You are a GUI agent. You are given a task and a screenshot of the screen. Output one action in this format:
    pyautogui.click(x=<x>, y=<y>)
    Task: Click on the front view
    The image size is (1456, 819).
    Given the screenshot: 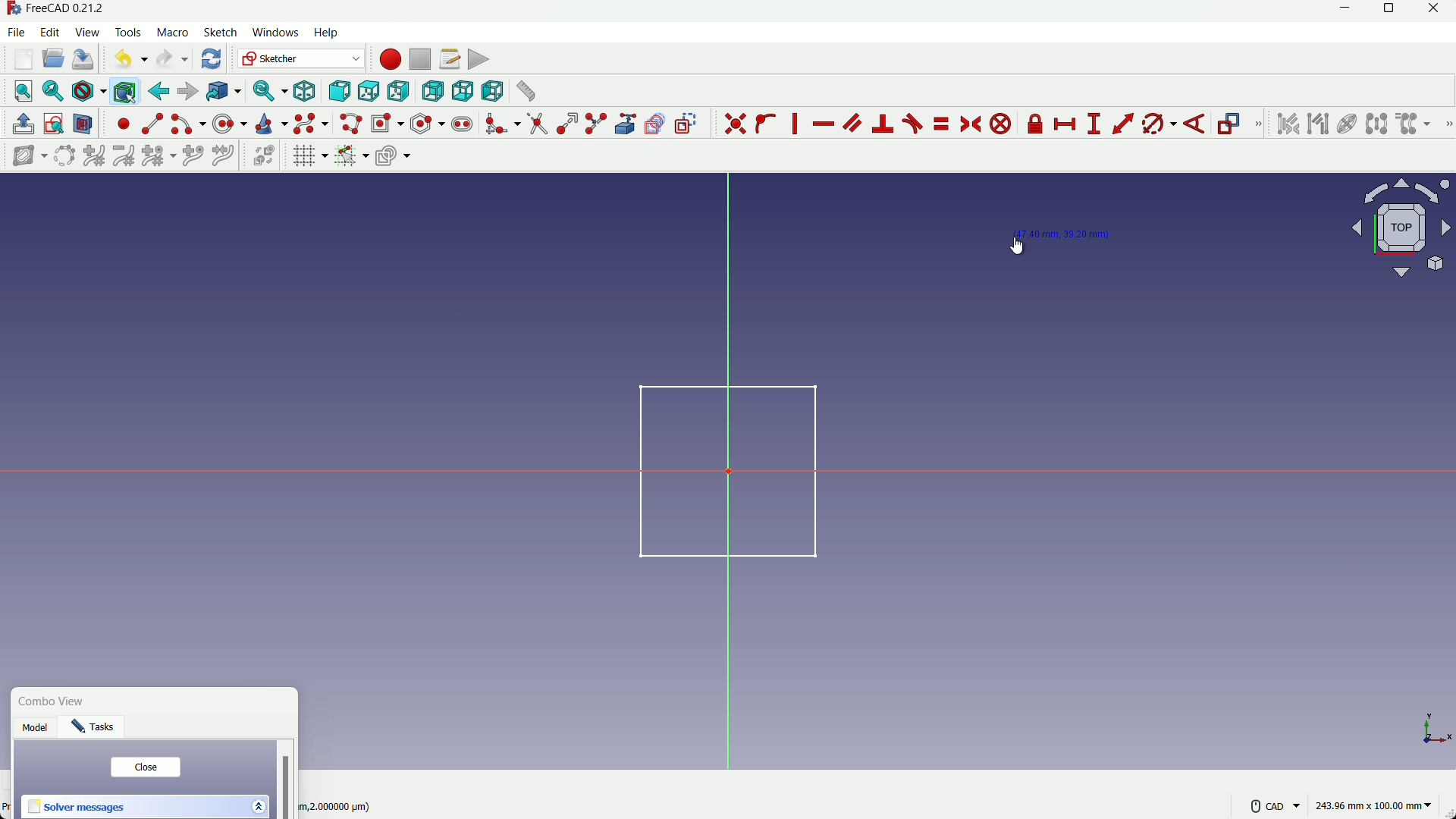 What is the action you would take?
    pyautogui.click(x=338, y=93)
    